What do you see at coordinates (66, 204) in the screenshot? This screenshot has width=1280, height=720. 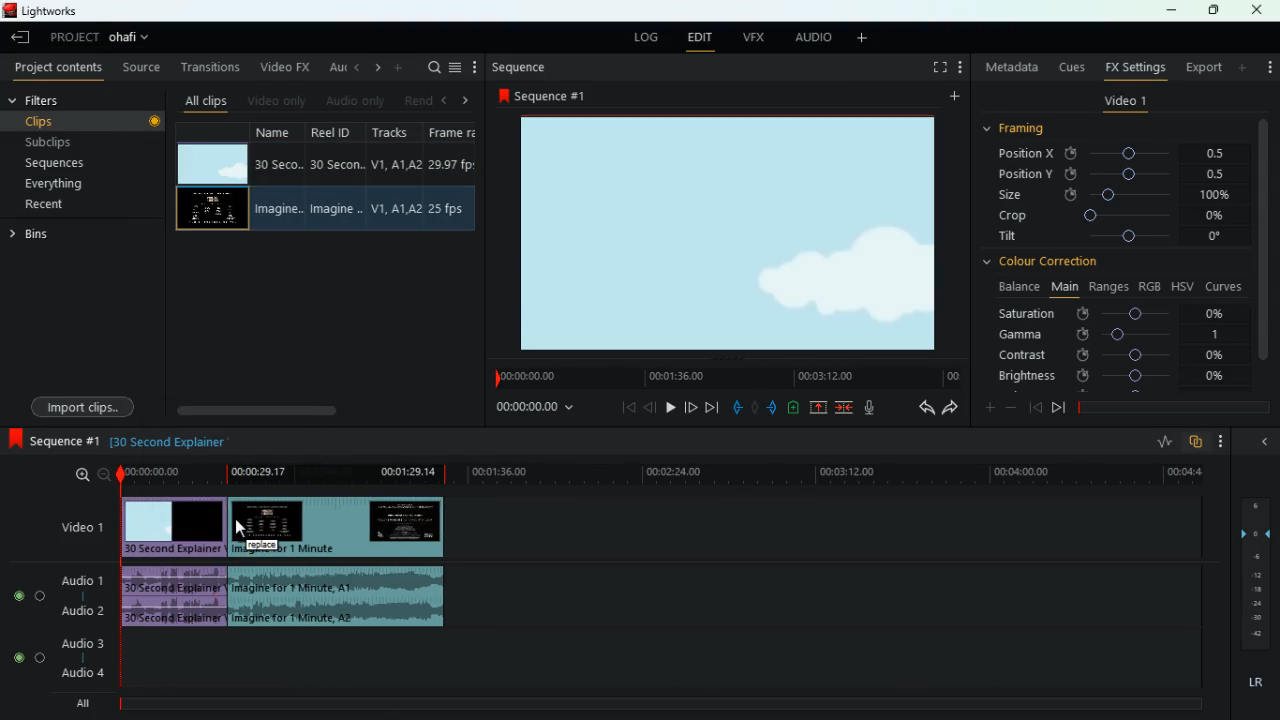 I see `recent` at bounding box center [66, 204].